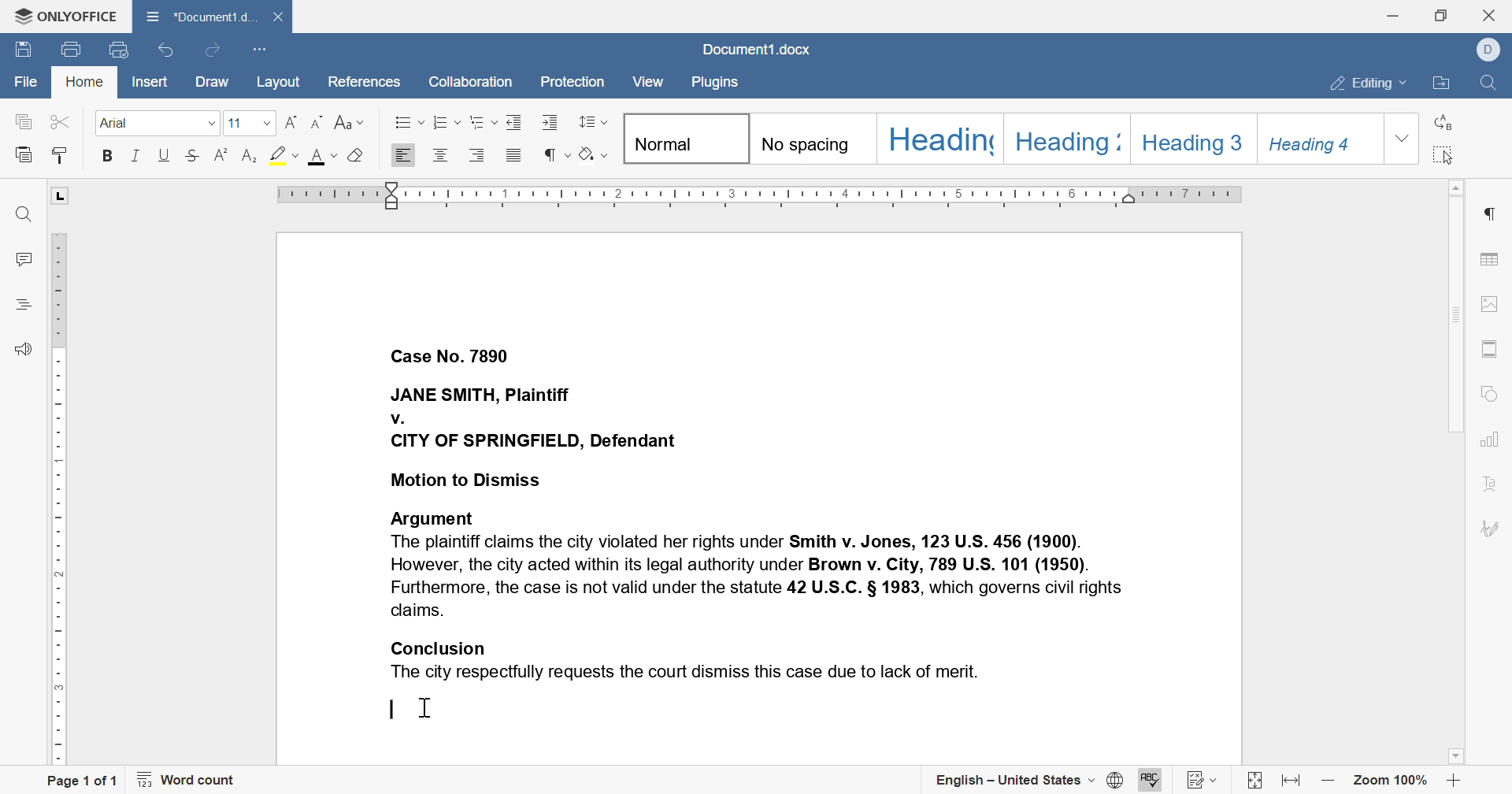 This screenshot has height=794, width=1512. I want to click on paragraph line spacing, so click(592, 121).